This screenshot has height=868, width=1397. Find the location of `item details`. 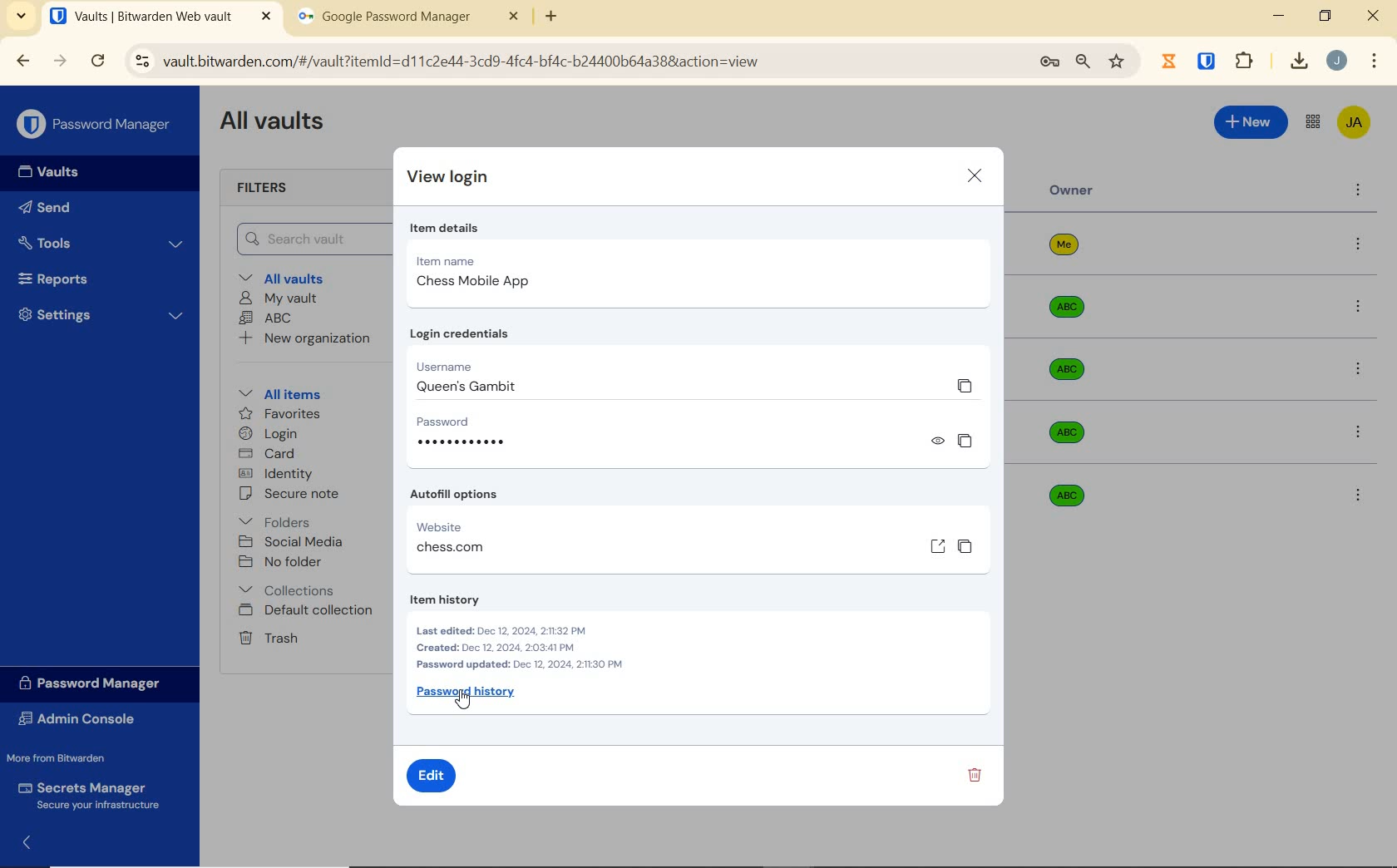

item details is located at coordinates (449, 229).